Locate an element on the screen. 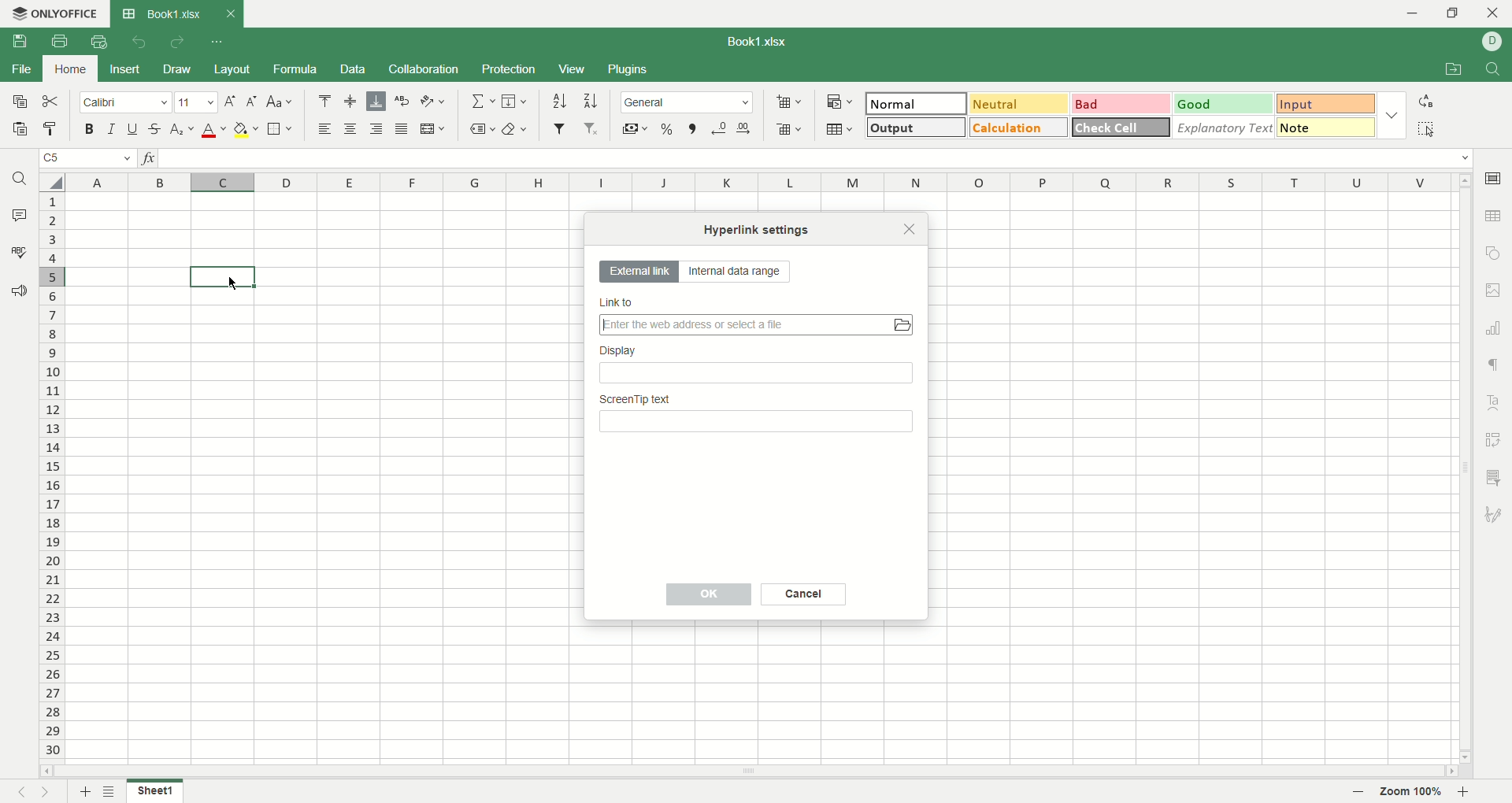 The image size is (1512, 803). fill color is located at coordinates (246, 130).